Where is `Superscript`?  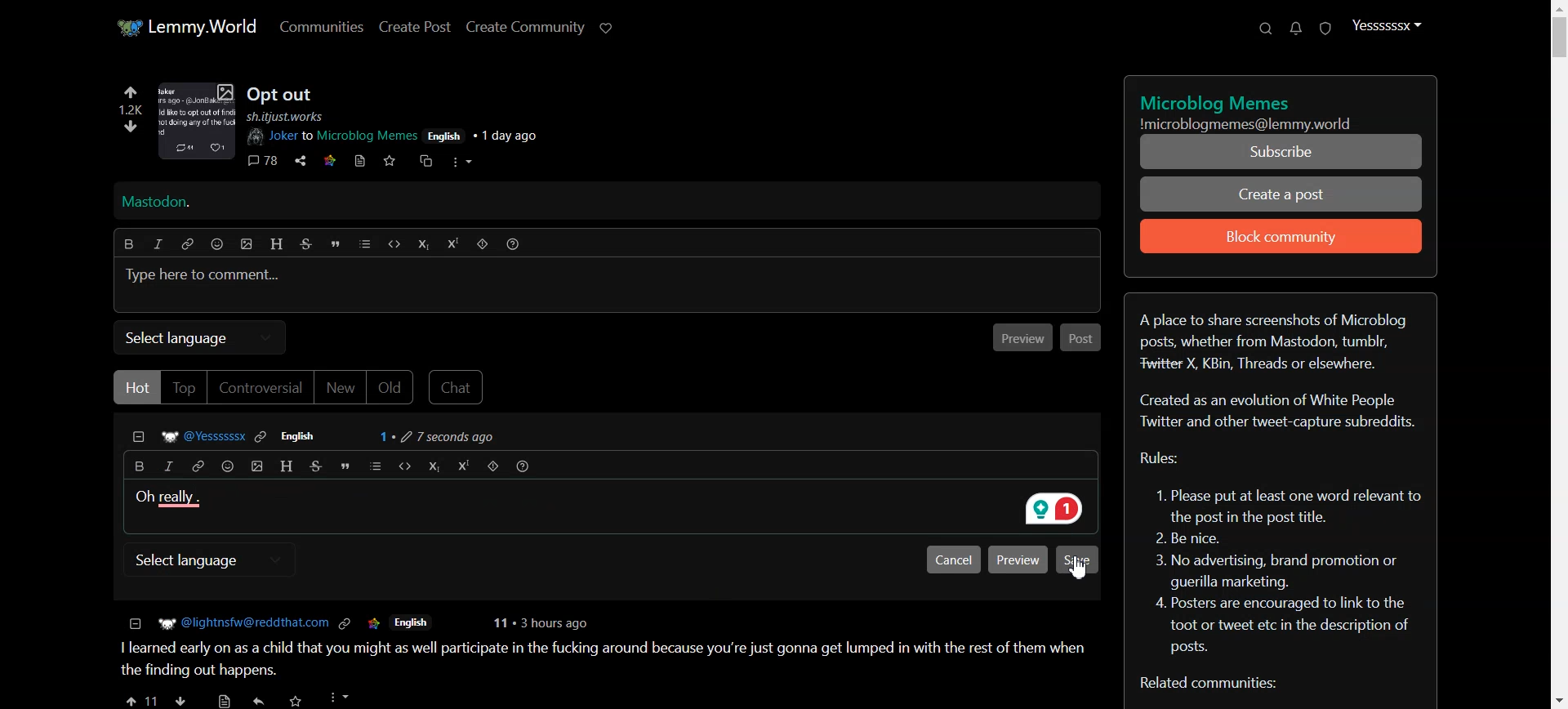
Superscript is located at coordinates (453, 244).